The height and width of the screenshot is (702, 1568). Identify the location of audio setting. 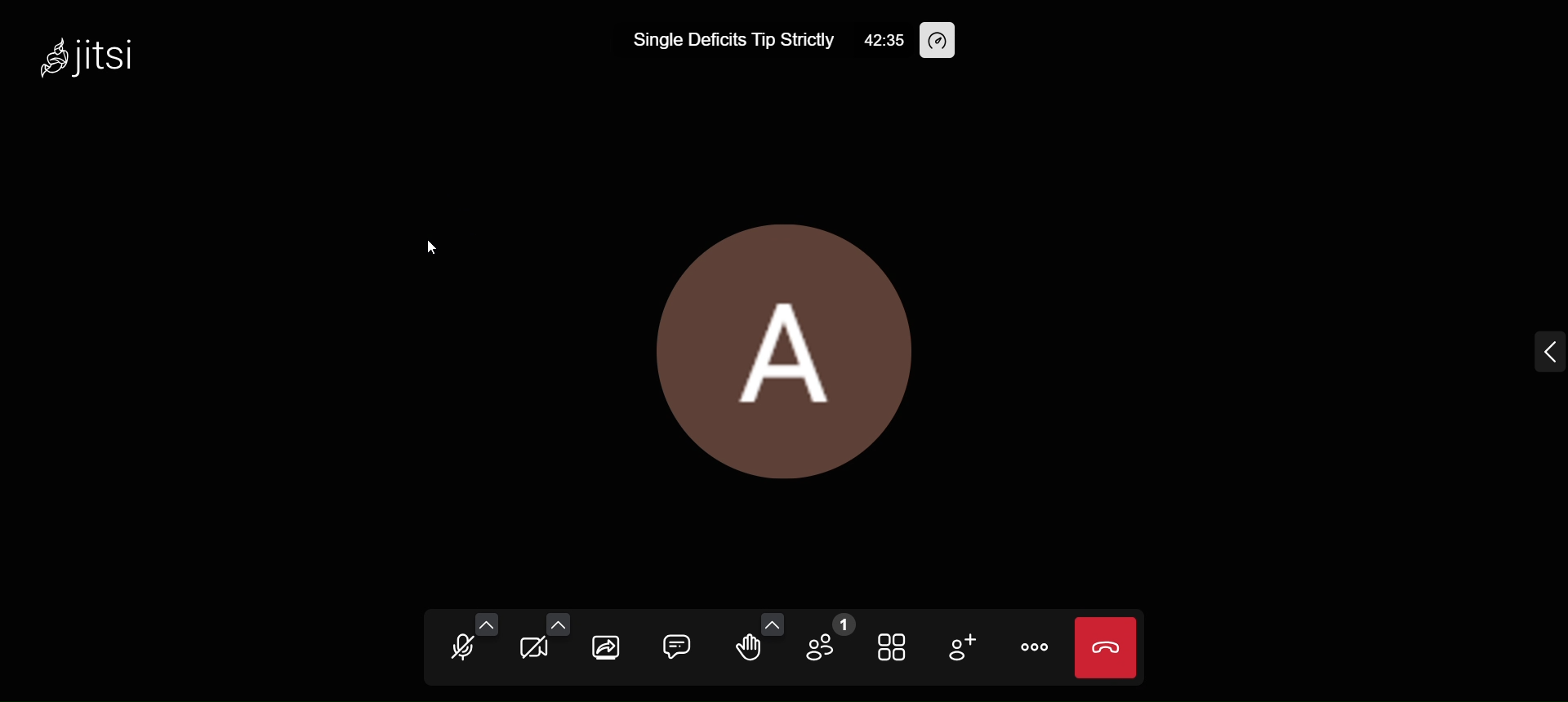
(489, 624).